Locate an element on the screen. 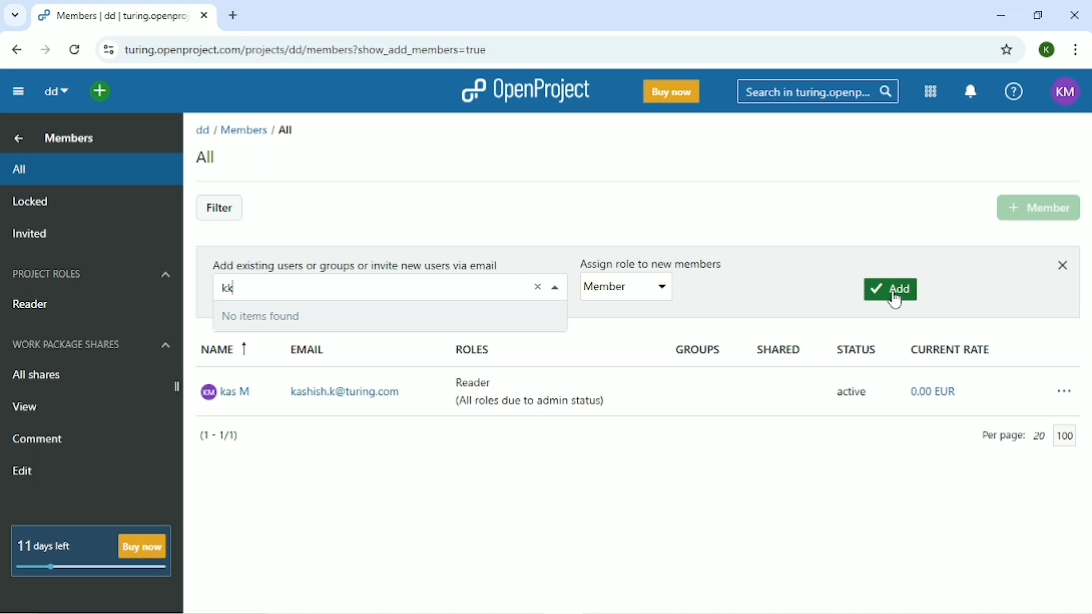 This screenshot has width=1092, height=614. Assign role to new members is located at coordinates (655, 261).